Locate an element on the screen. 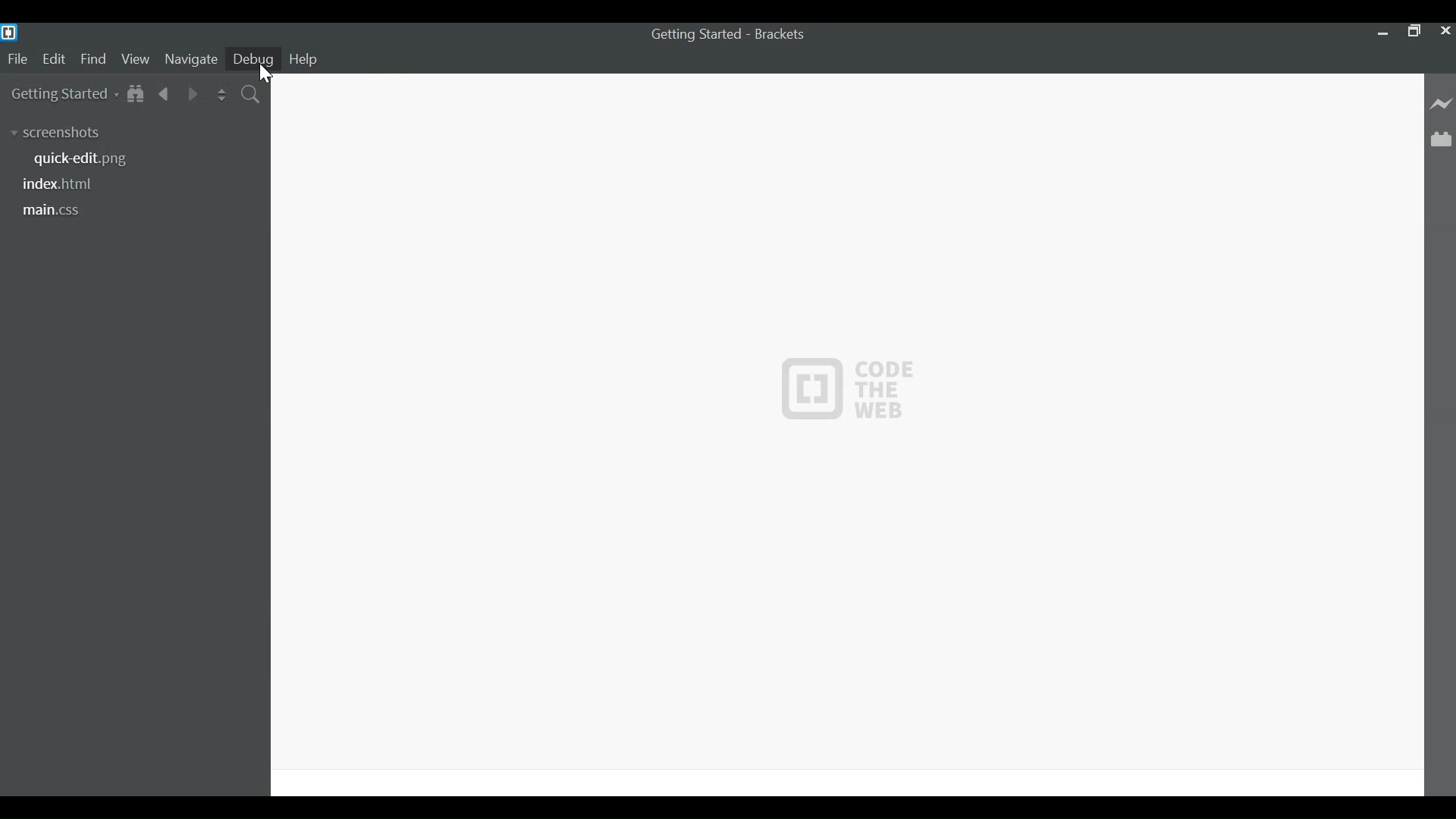 This screenshot has height=819, width=1456. Live Preview is located at coordinates (1442, 103).